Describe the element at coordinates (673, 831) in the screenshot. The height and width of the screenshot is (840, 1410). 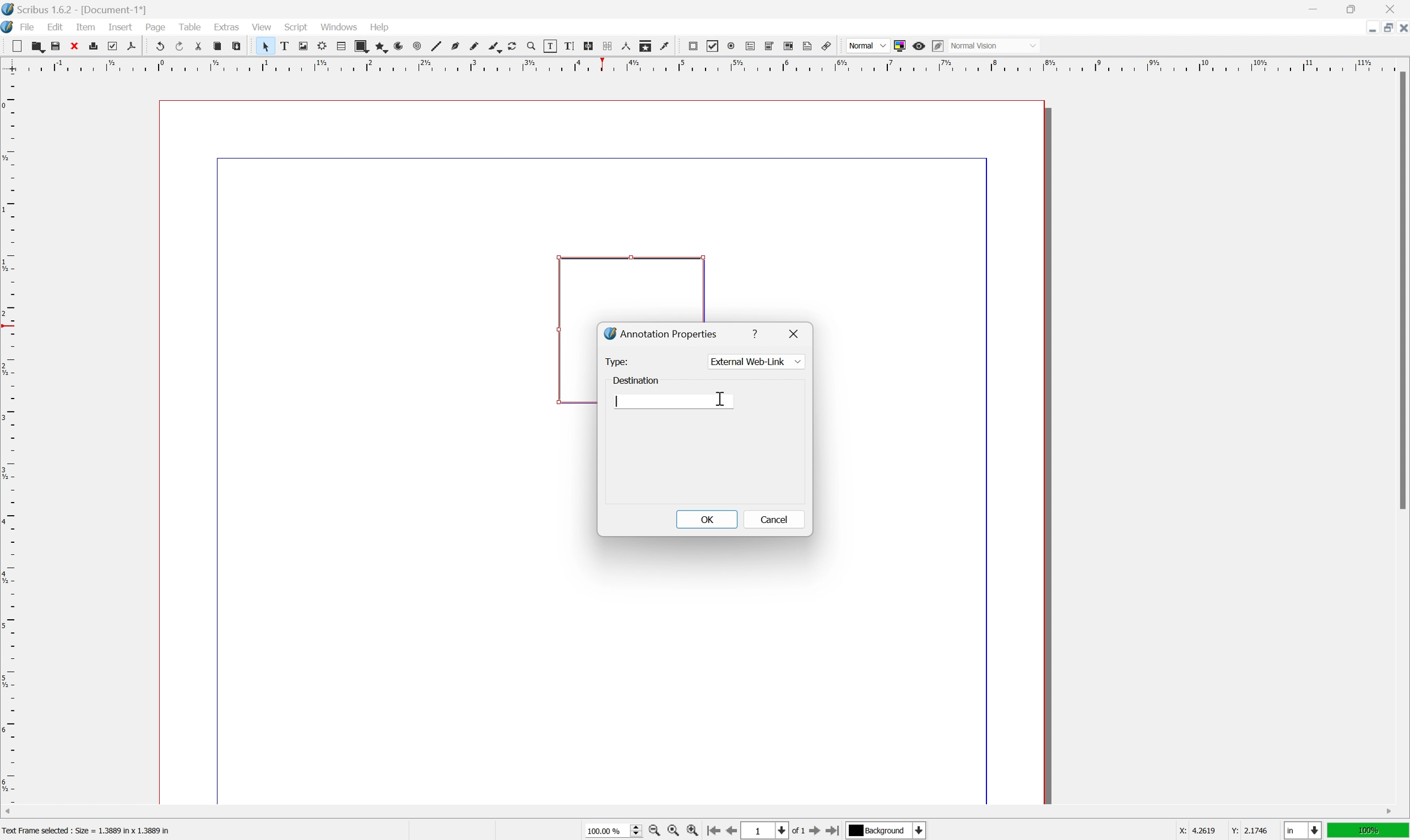
I see `zoom to 100%` at that location.